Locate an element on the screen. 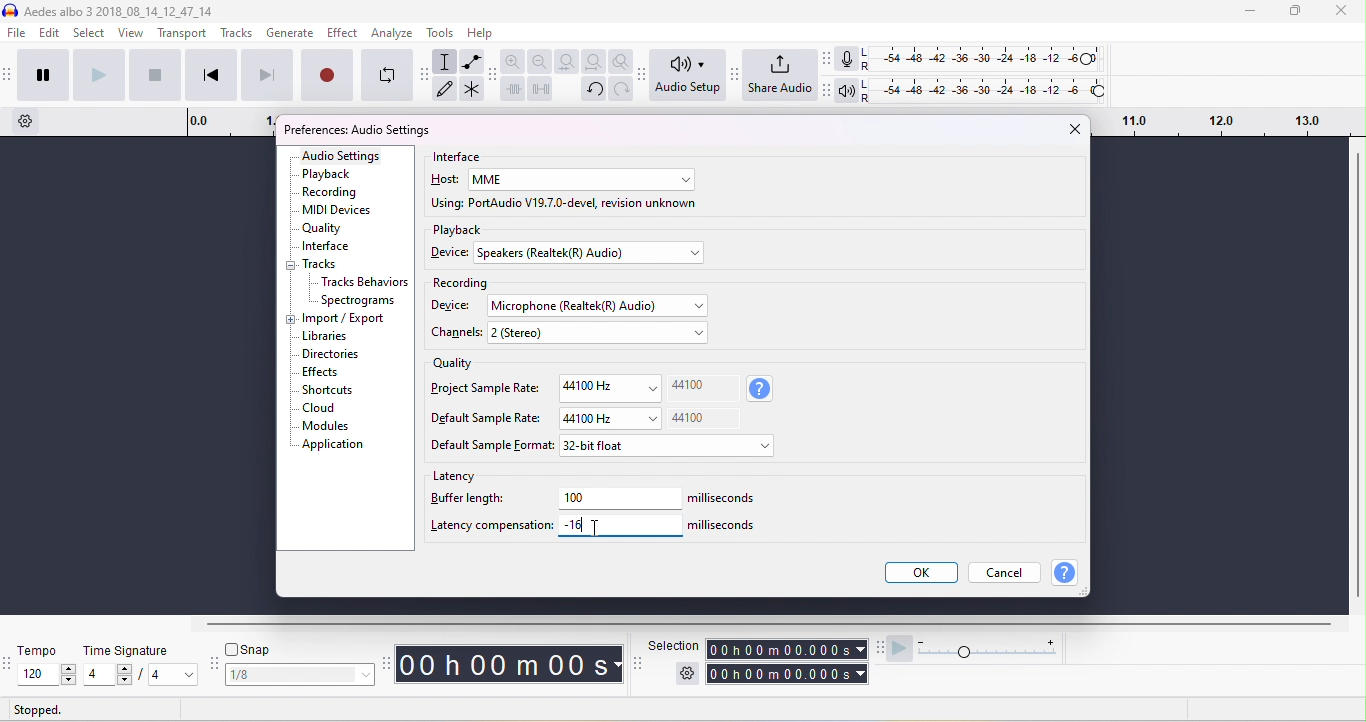 The height and width of the screenshot is (722, 1366). device is located at coordinates (449, 252).